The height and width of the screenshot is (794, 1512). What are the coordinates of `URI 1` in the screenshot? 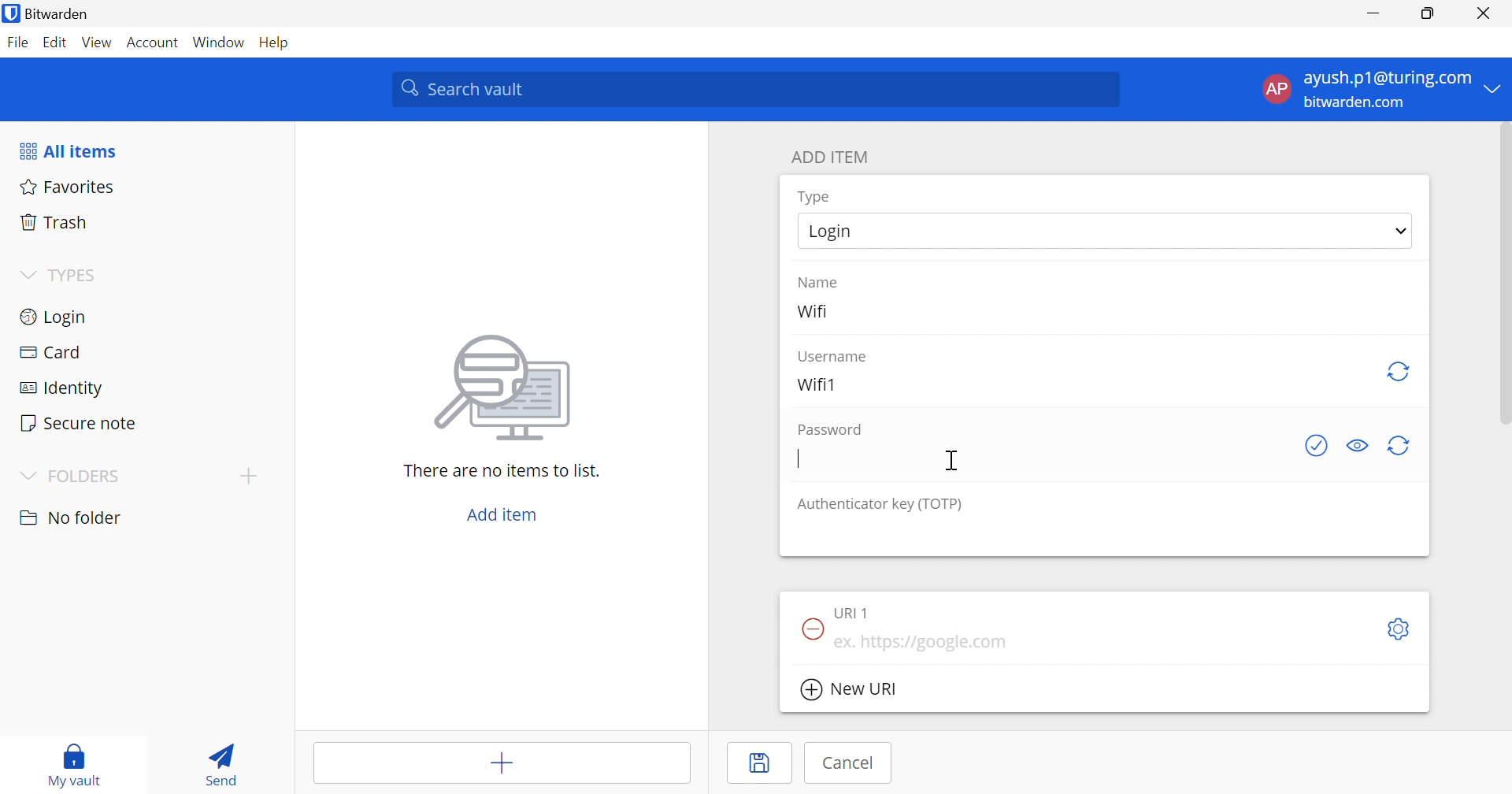 It's located at (854, 611).